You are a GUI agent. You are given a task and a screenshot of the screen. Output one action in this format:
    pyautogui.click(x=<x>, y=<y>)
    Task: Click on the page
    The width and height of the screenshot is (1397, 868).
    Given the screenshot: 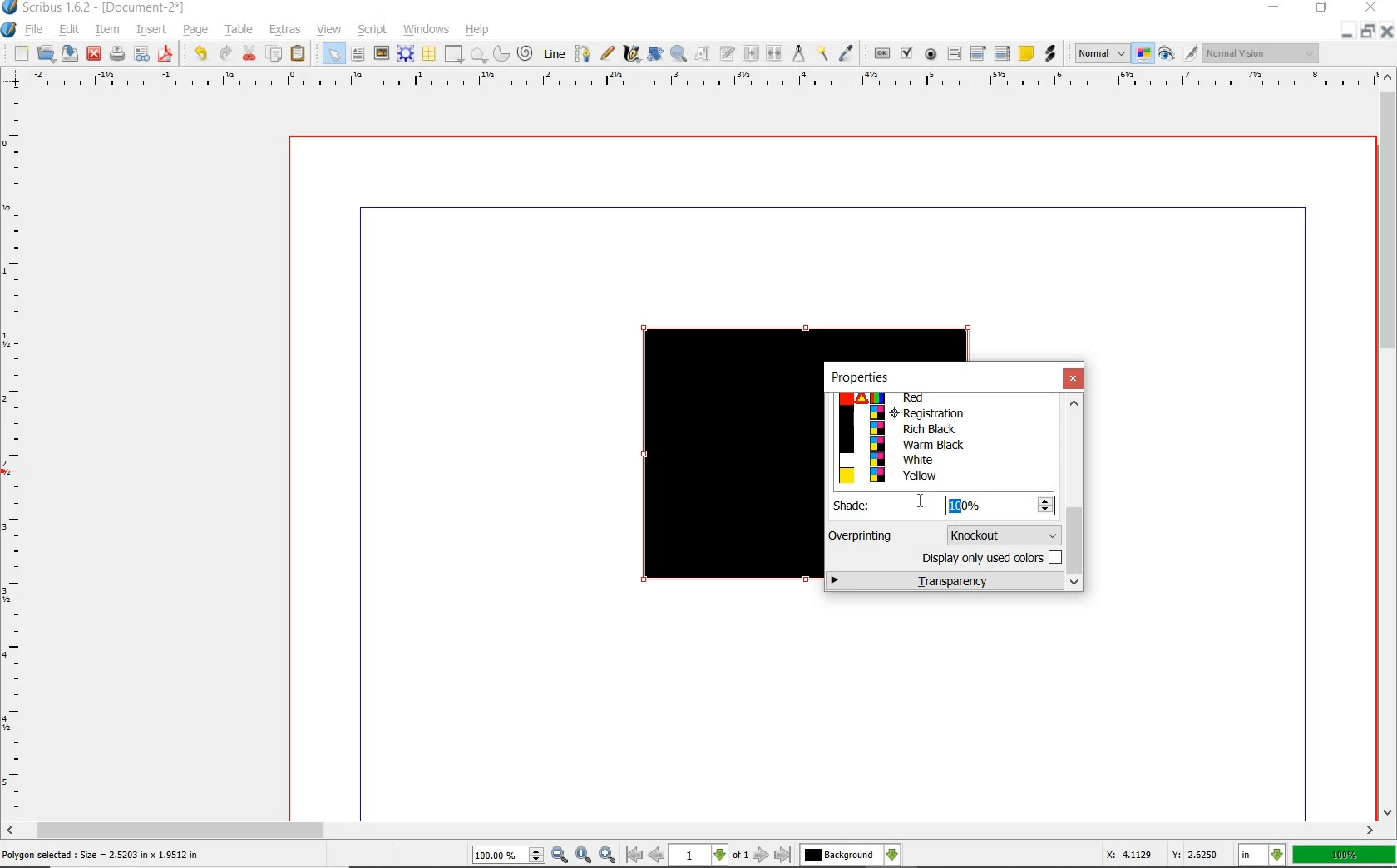 What is the action you would take?
    pyautogui.click(x=196, y=32)
    